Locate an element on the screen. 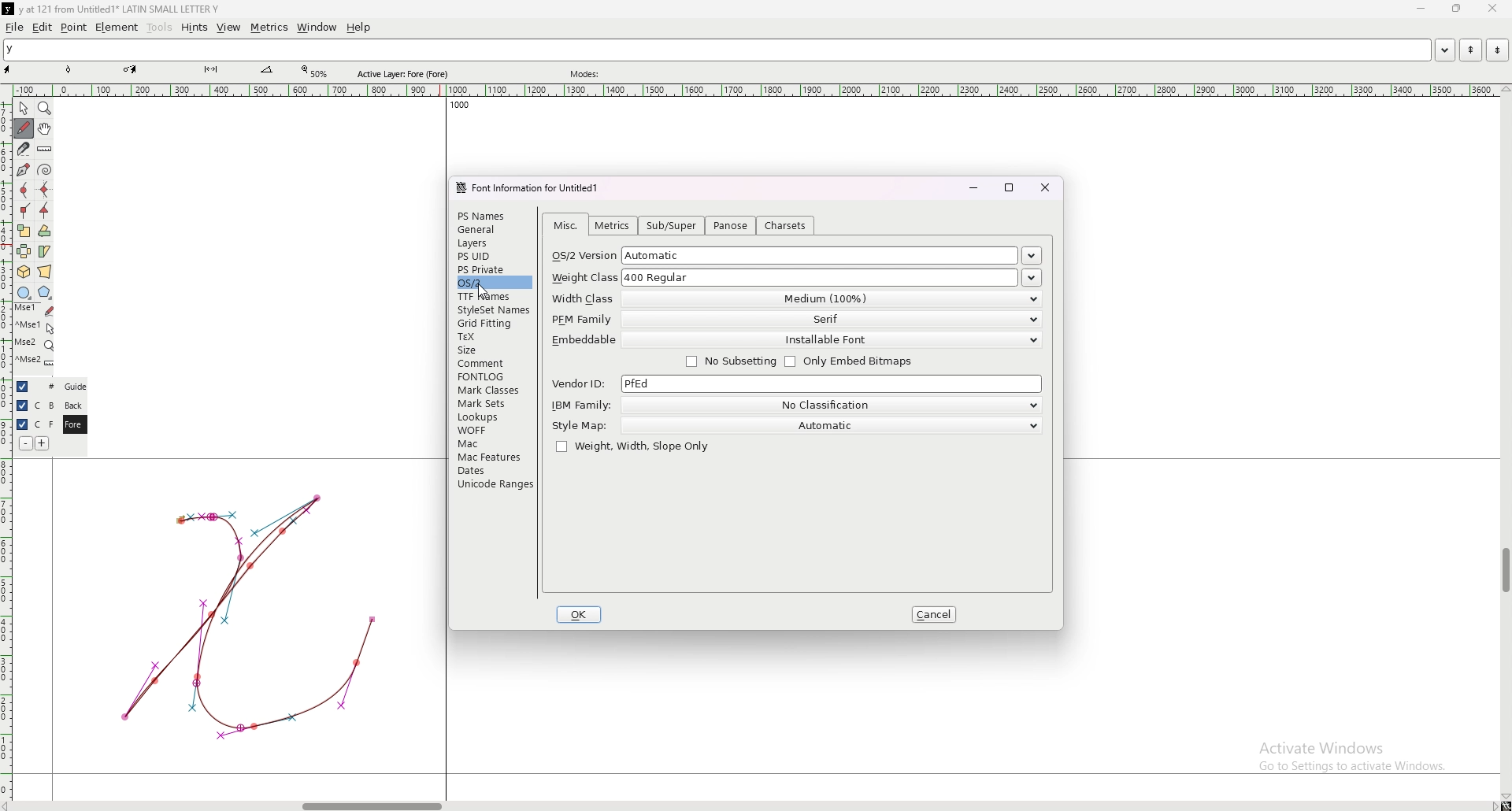  horizontal scale is located at coordinates (756, 91).